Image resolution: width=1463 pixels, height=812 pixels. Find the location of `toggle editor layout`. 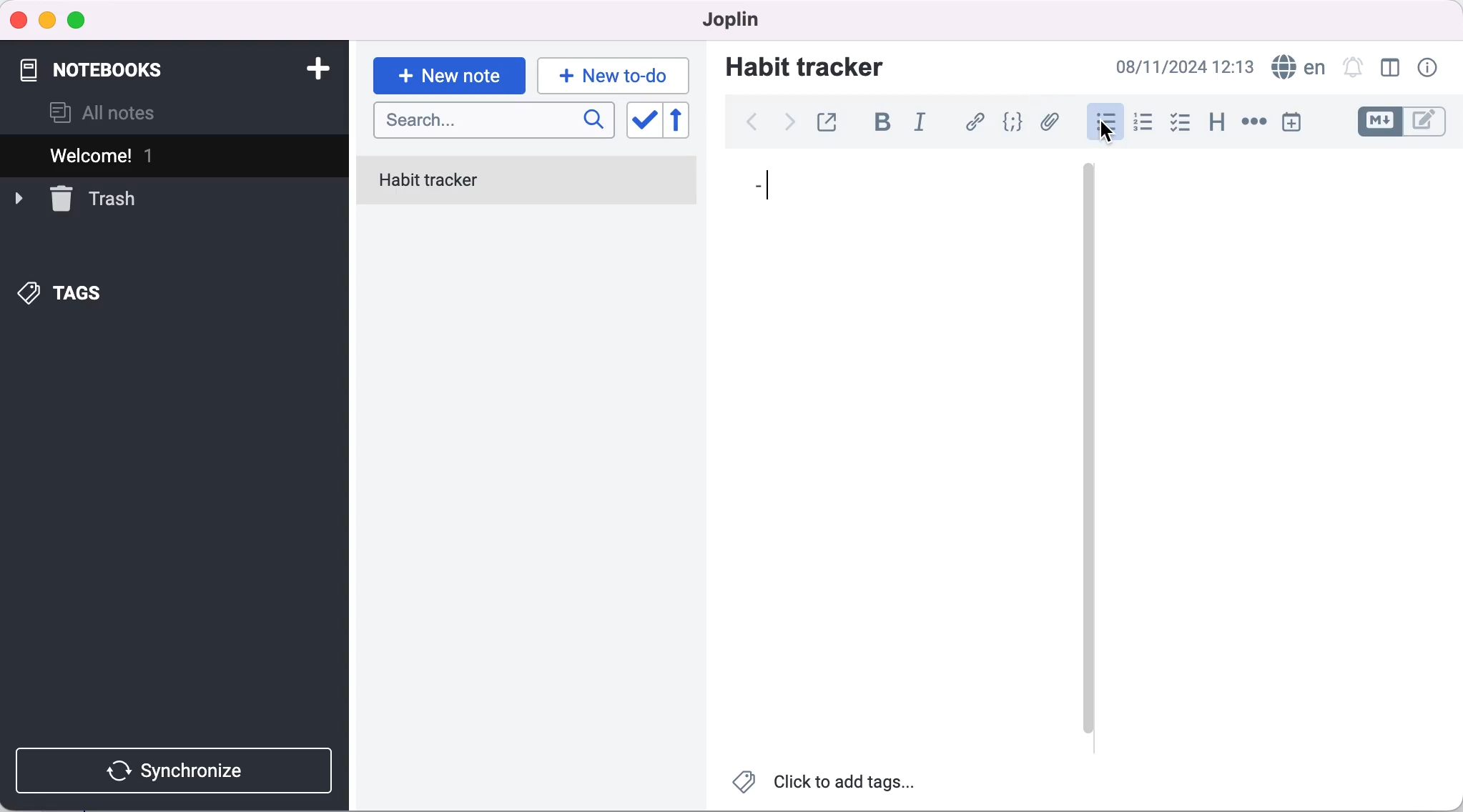

toggle editor layout is located at coordinates (1391, 68).